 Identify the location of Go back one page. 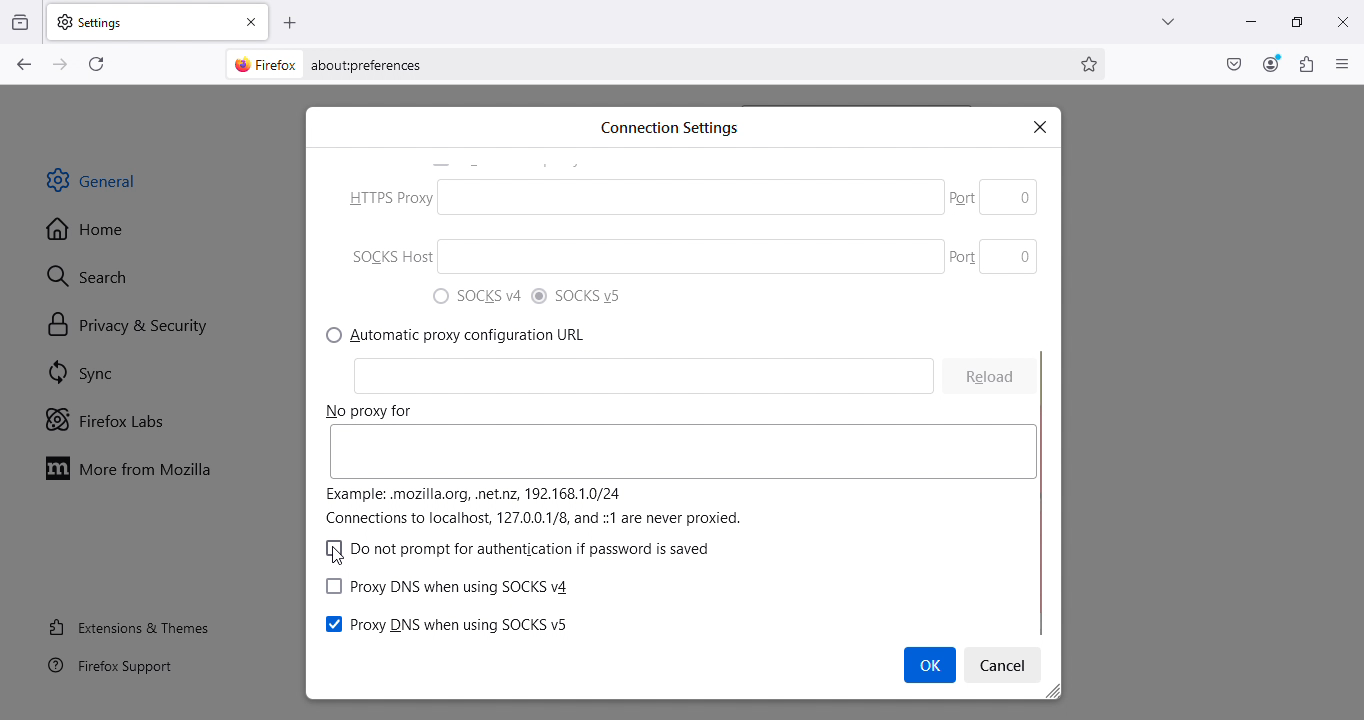
(22, 65).